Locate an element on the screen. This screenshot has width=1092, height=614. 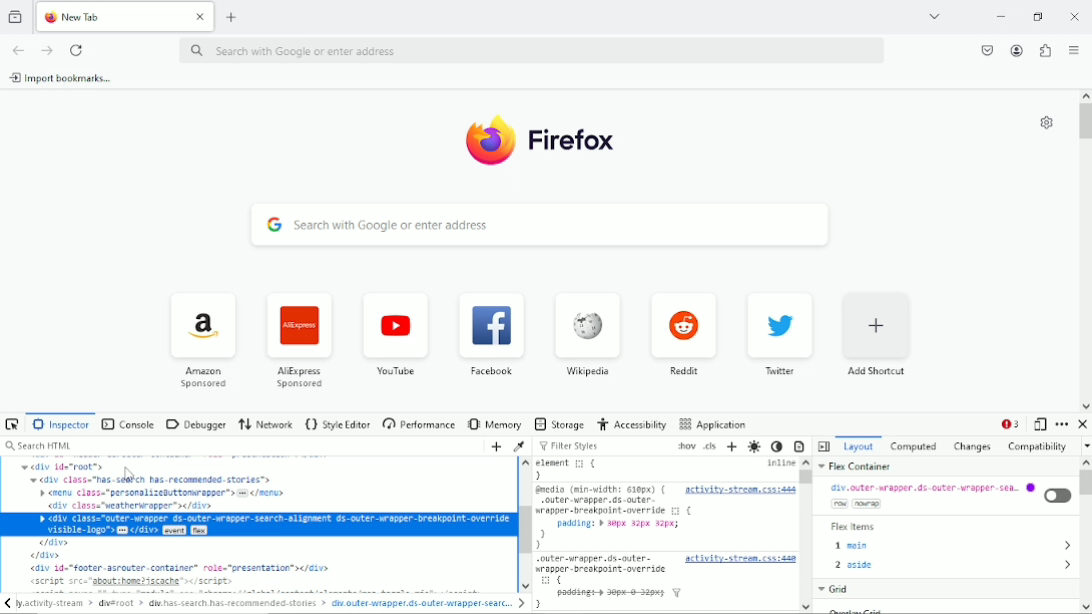
New tab is located at coordinates (232, 18).